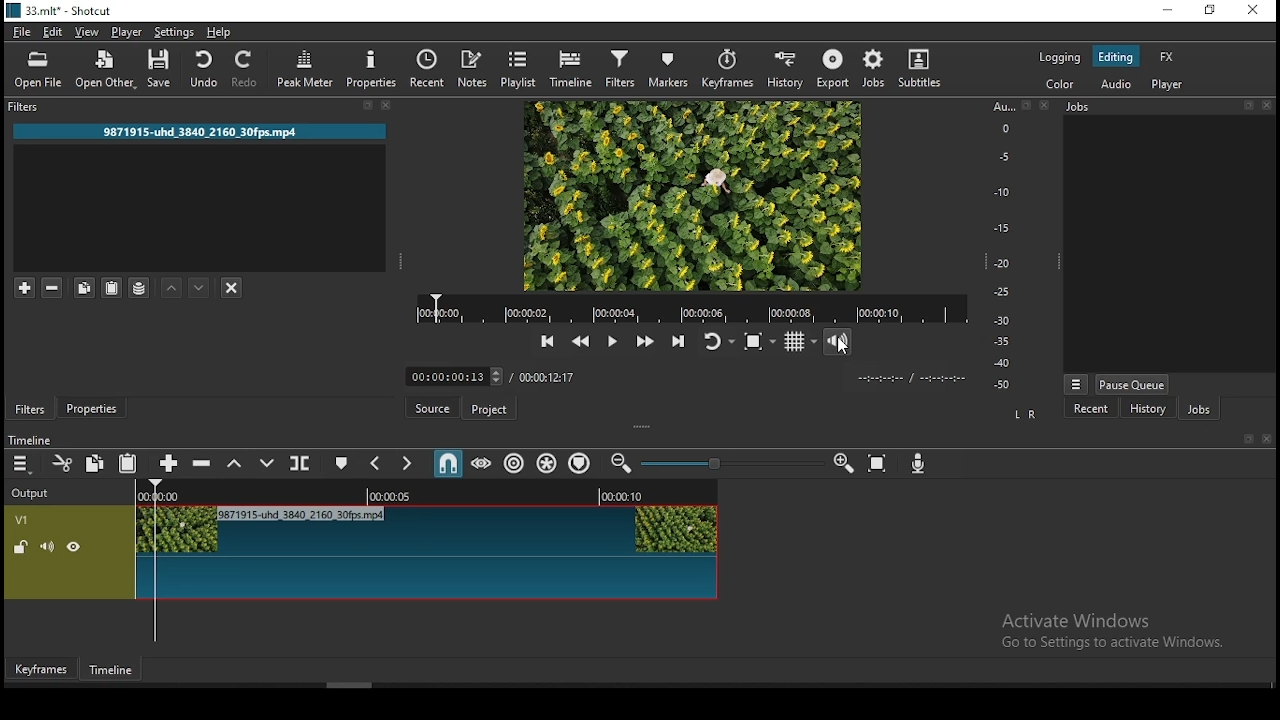 This screenshot has width=1280, height=720. Describe the element at coordinates (621, 462) in the screenshot. I see `zoom timeline out` at that location.